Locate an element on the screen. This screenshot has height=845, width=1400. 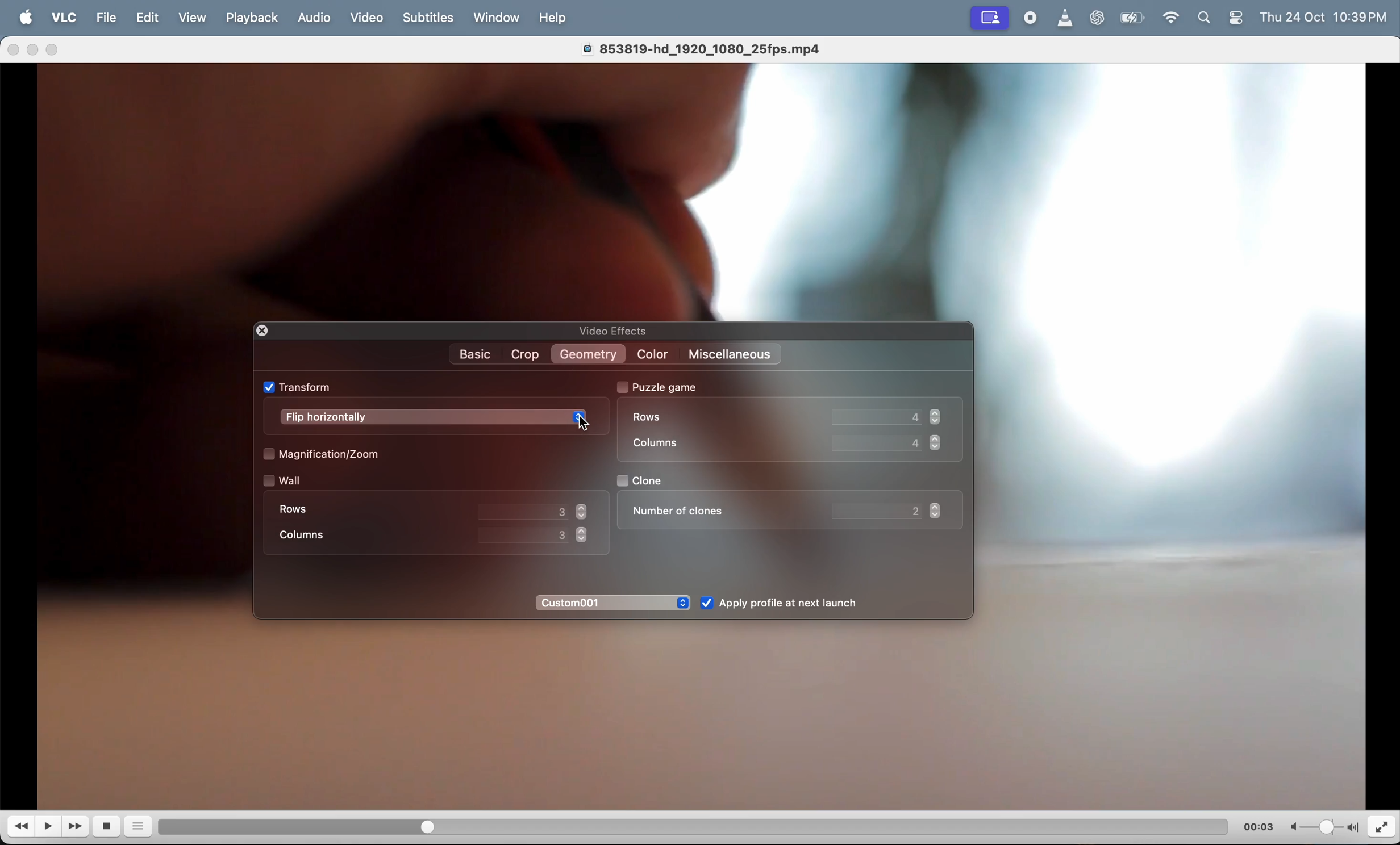
Geometry is located at coordinates (589, 354).